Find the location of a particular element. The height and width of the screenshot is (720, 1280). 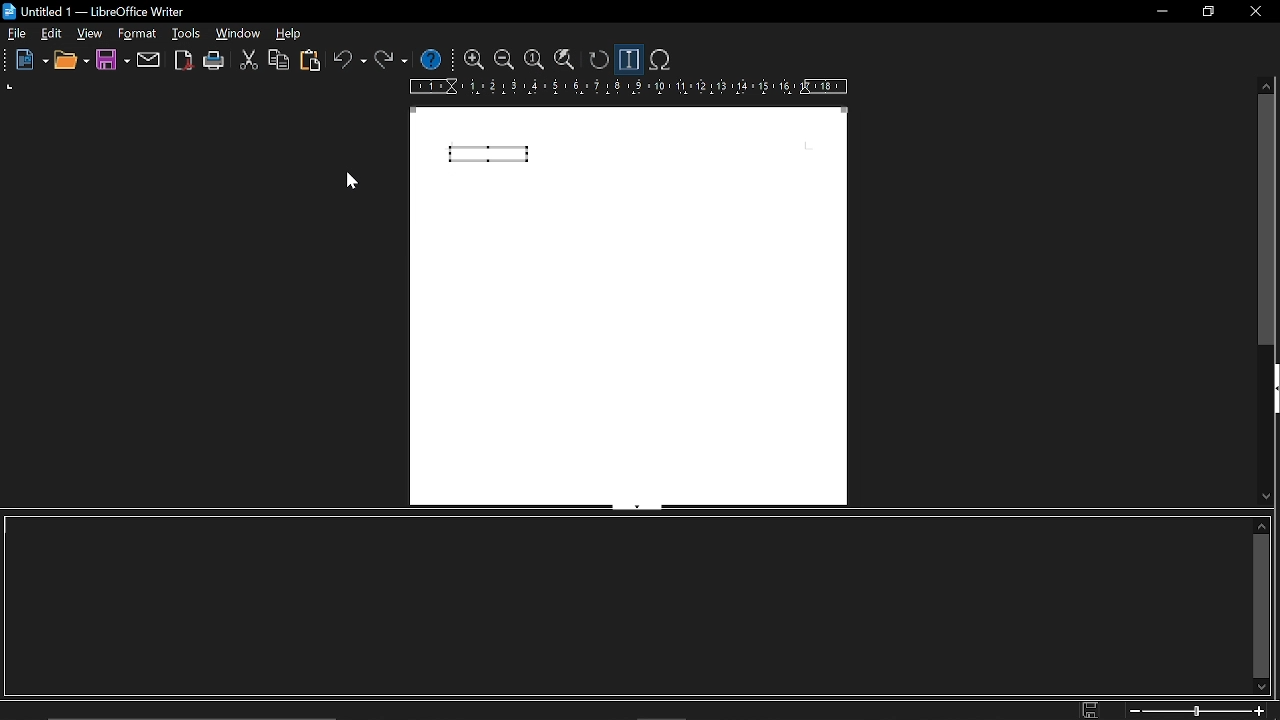

Untitled 1 - LibreOffice Writer is located at coordinates (118, 11).